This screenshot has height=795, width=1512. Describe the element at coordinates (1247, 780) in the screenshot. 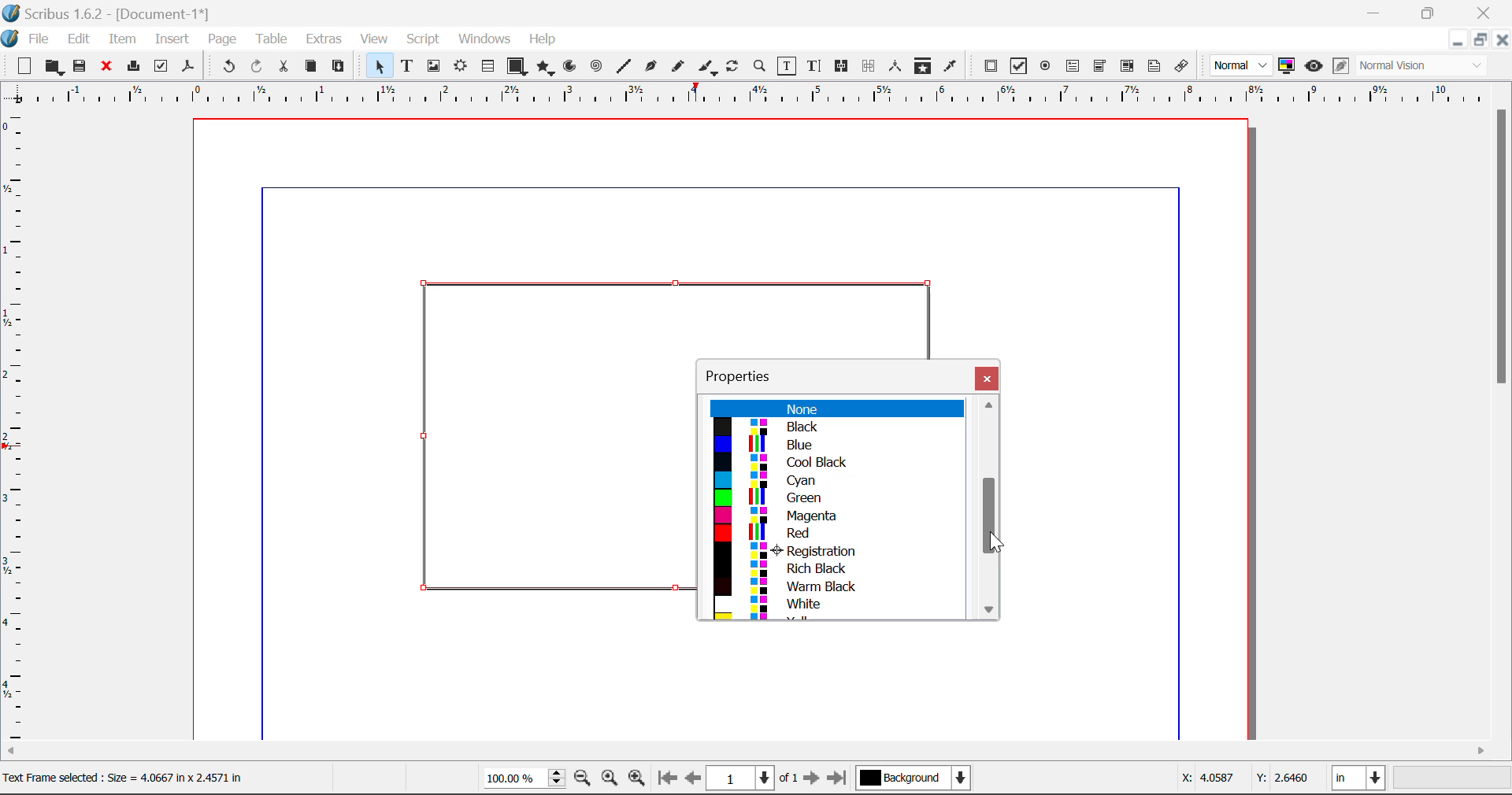

I see `Cursor Coordinates` at that location.